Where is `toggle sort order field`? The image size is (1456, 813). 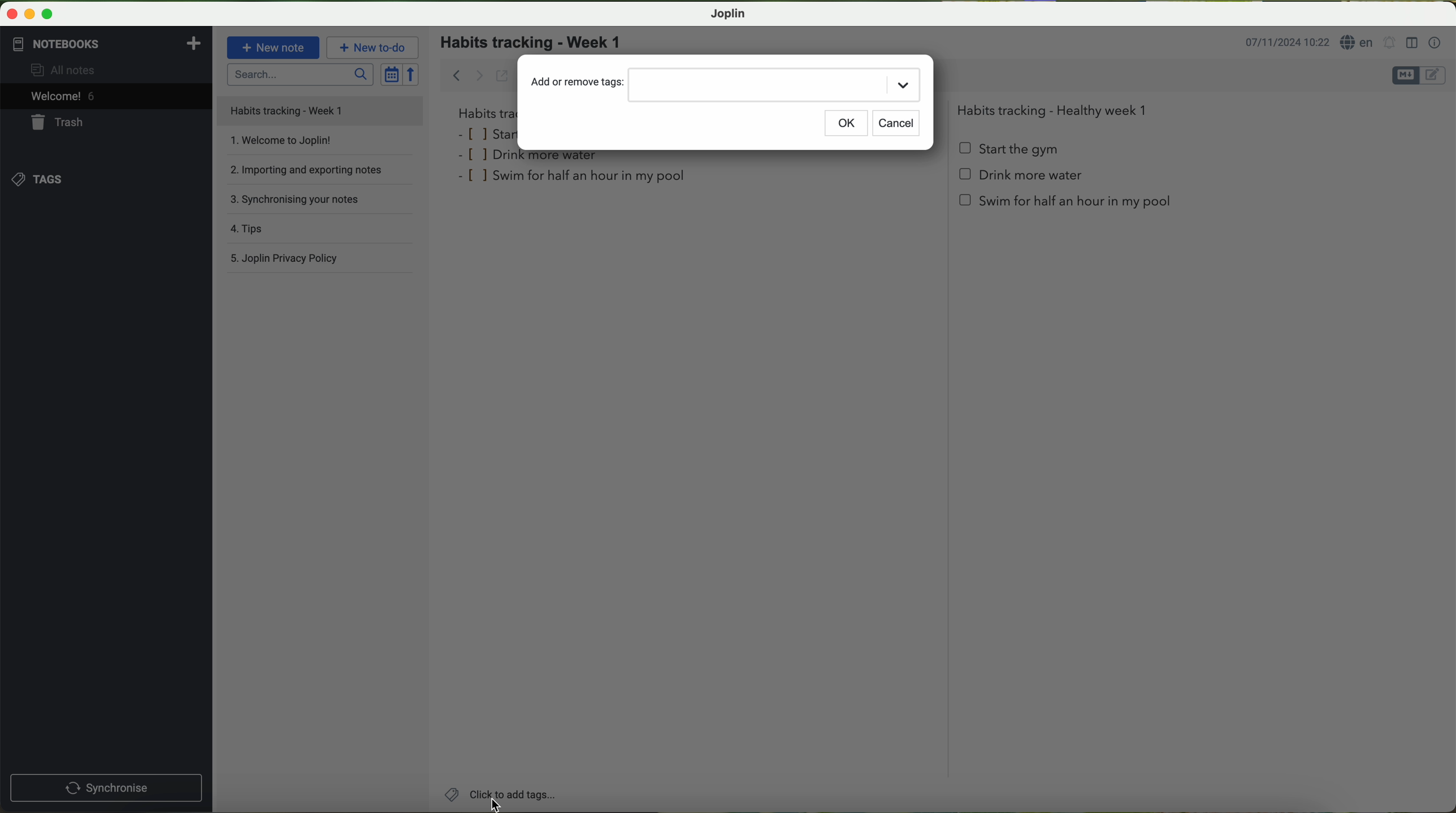 toggle sort order field is located at coordinates (391, 74).